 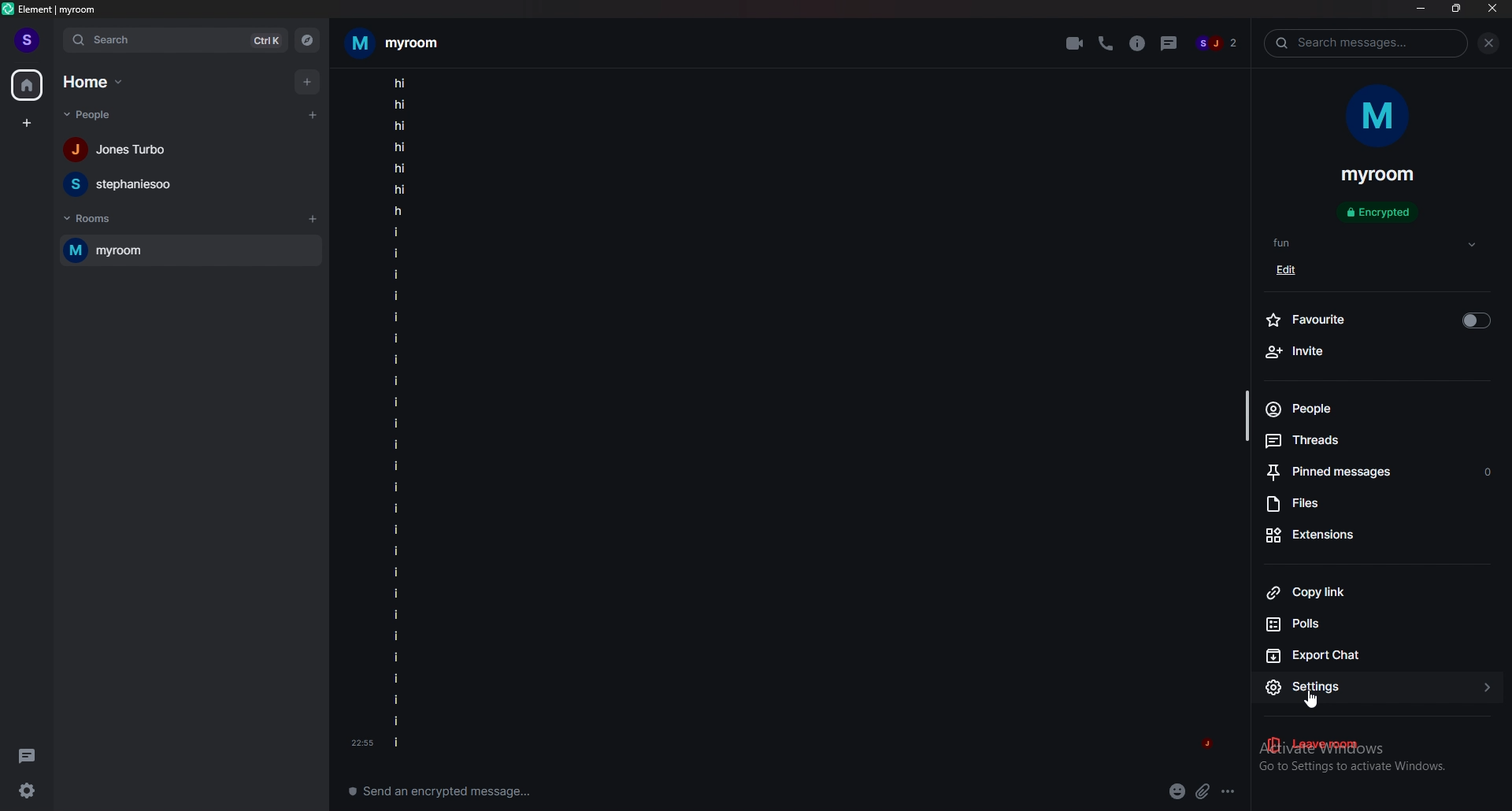 I want to click on info, so click(x=1136, y=43).